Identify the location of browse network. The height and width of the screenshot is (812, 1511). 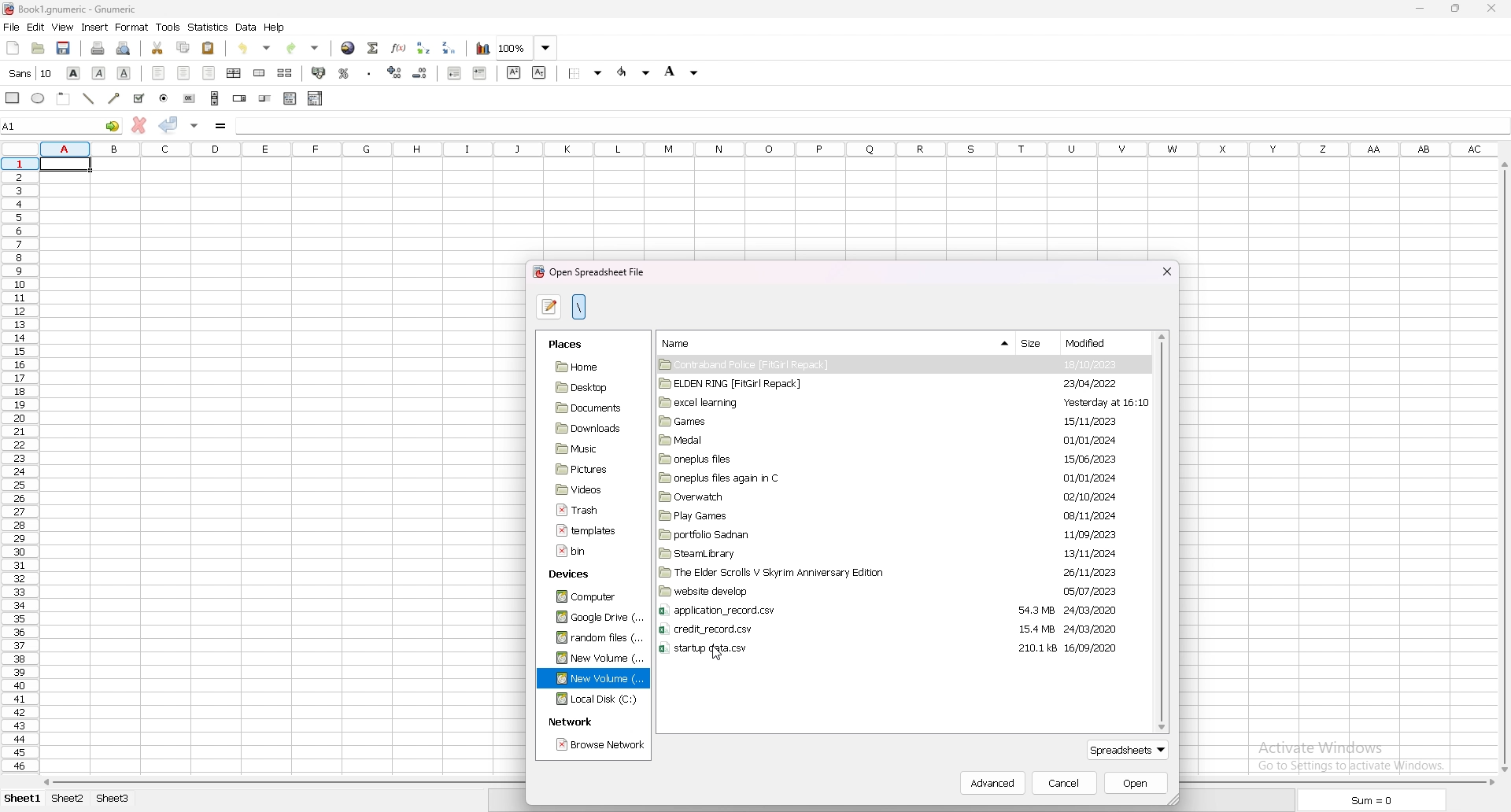
(598, 746).